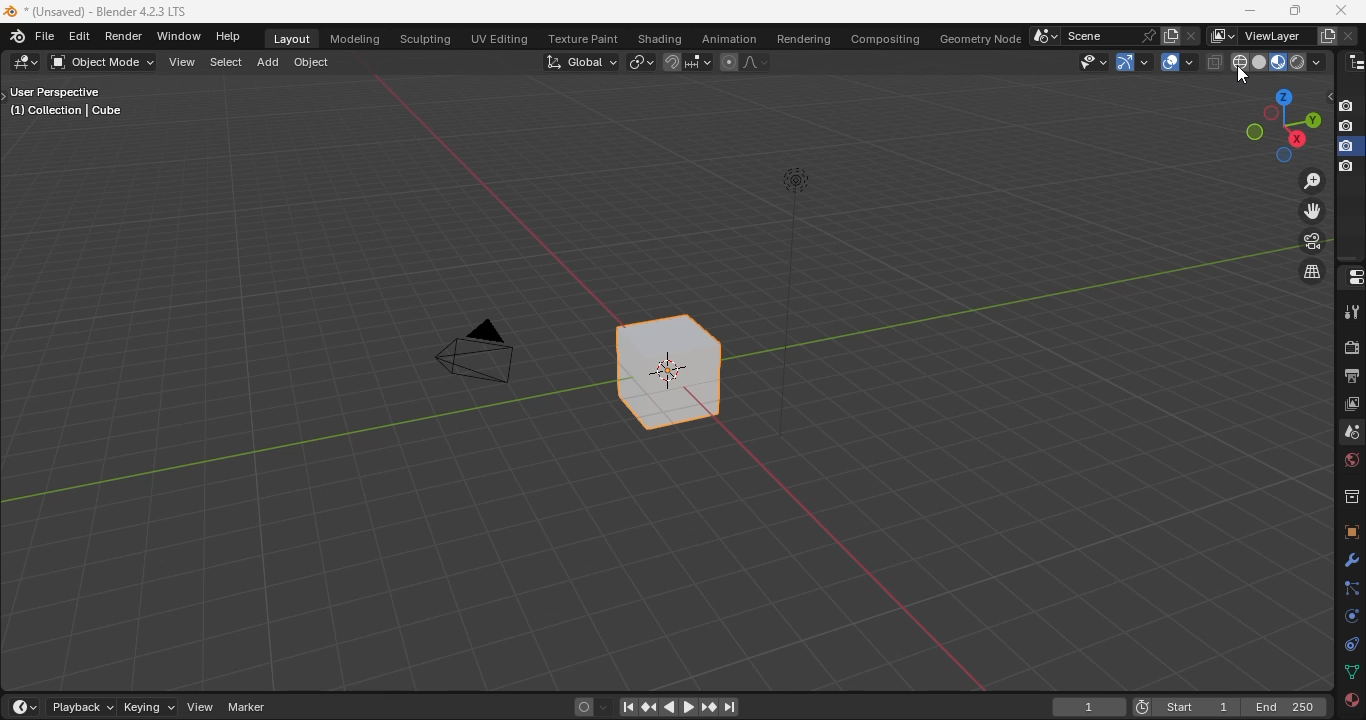 This screenshot has width=1366, height=720. I want to click on default cube, so click(668, 373).